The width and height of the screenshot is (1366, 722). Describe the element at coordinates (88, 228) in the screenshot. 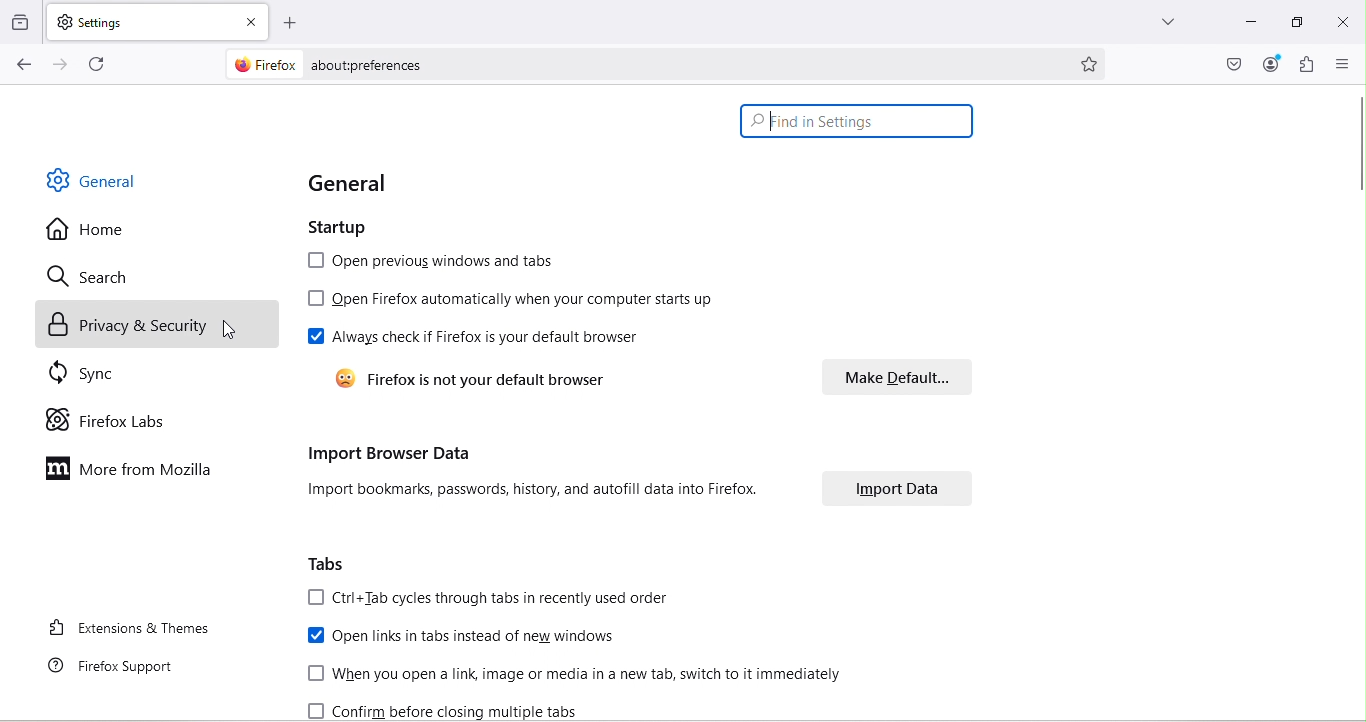

I see `Home` at that location.